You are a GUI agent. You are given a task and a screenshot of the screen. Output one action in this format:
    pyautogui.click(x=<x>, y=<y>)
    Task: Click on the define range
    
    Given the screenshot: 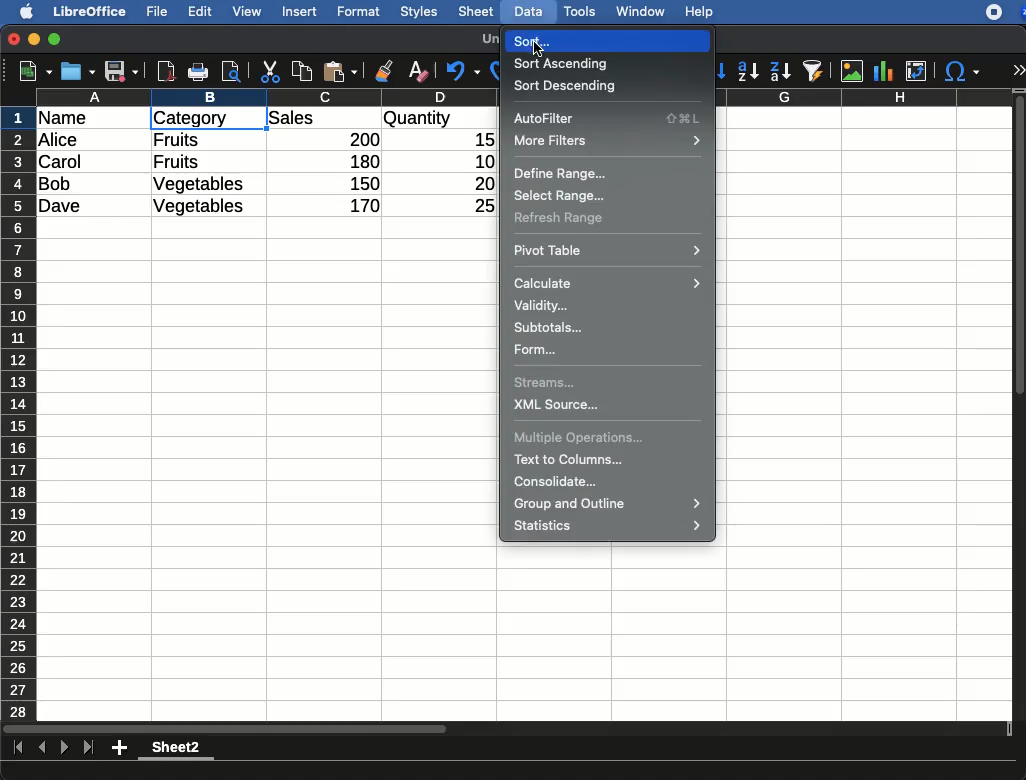 What is the action you would take?
    pyautogui.click(x=562, y=174)
    